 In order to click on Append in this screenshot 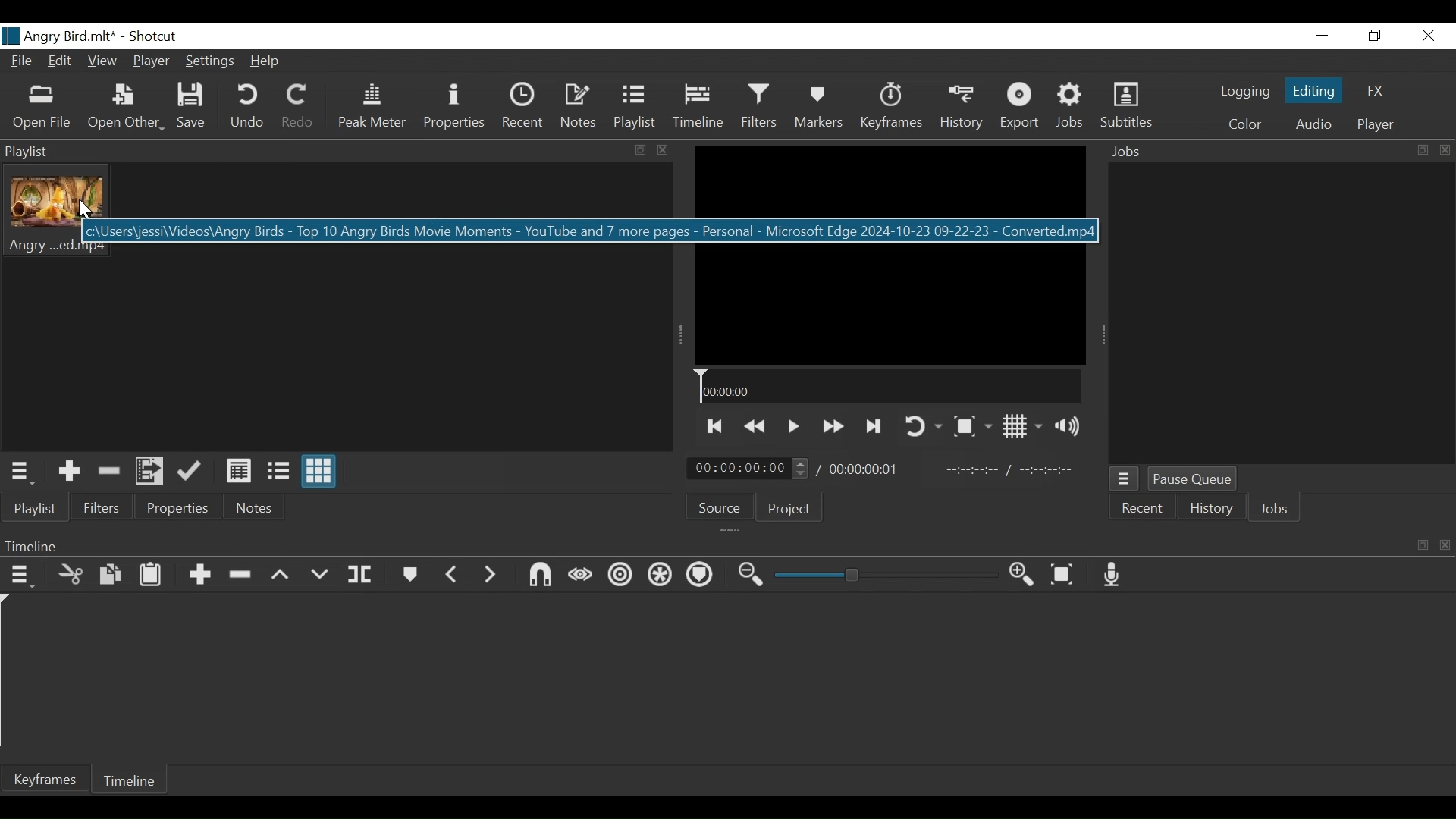, I will do `click(199, 575)`.